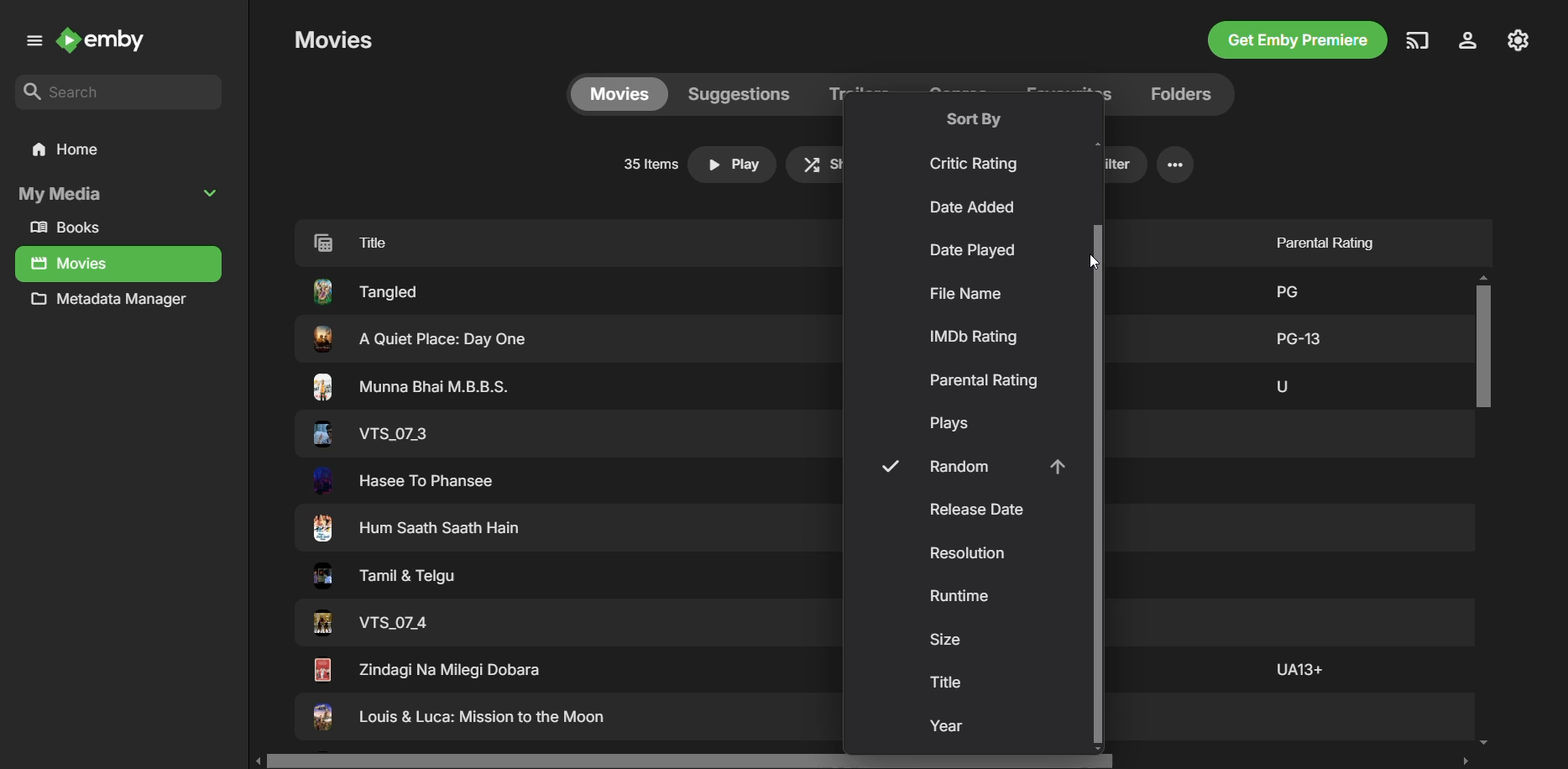 The height and width of the screenshot is (769, 1568). Describe the element at coordinates (371, 624) in the screenshot. I see `` at that location.